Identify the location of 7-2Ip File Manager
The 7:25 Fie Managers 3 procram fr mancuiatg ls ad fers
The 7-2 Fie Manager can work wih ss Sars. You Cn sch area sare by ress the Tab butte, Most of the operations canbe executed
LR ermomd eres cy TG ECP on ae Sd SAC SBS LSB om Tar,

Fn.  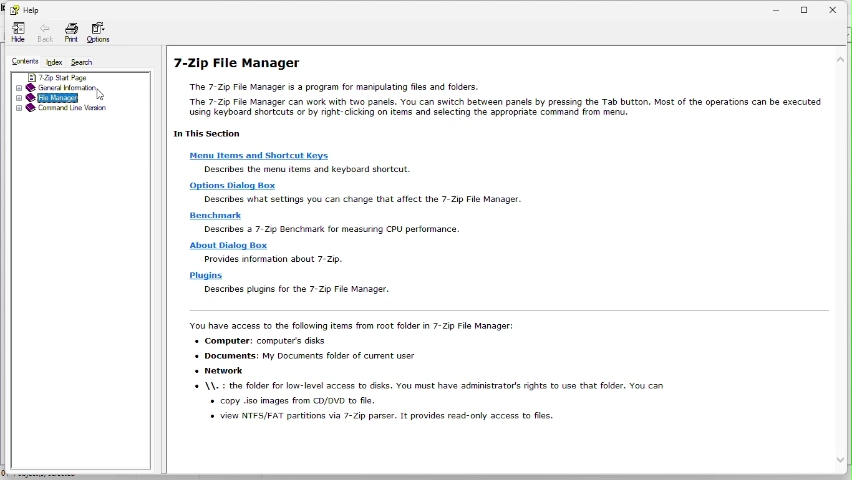
(492, 96).